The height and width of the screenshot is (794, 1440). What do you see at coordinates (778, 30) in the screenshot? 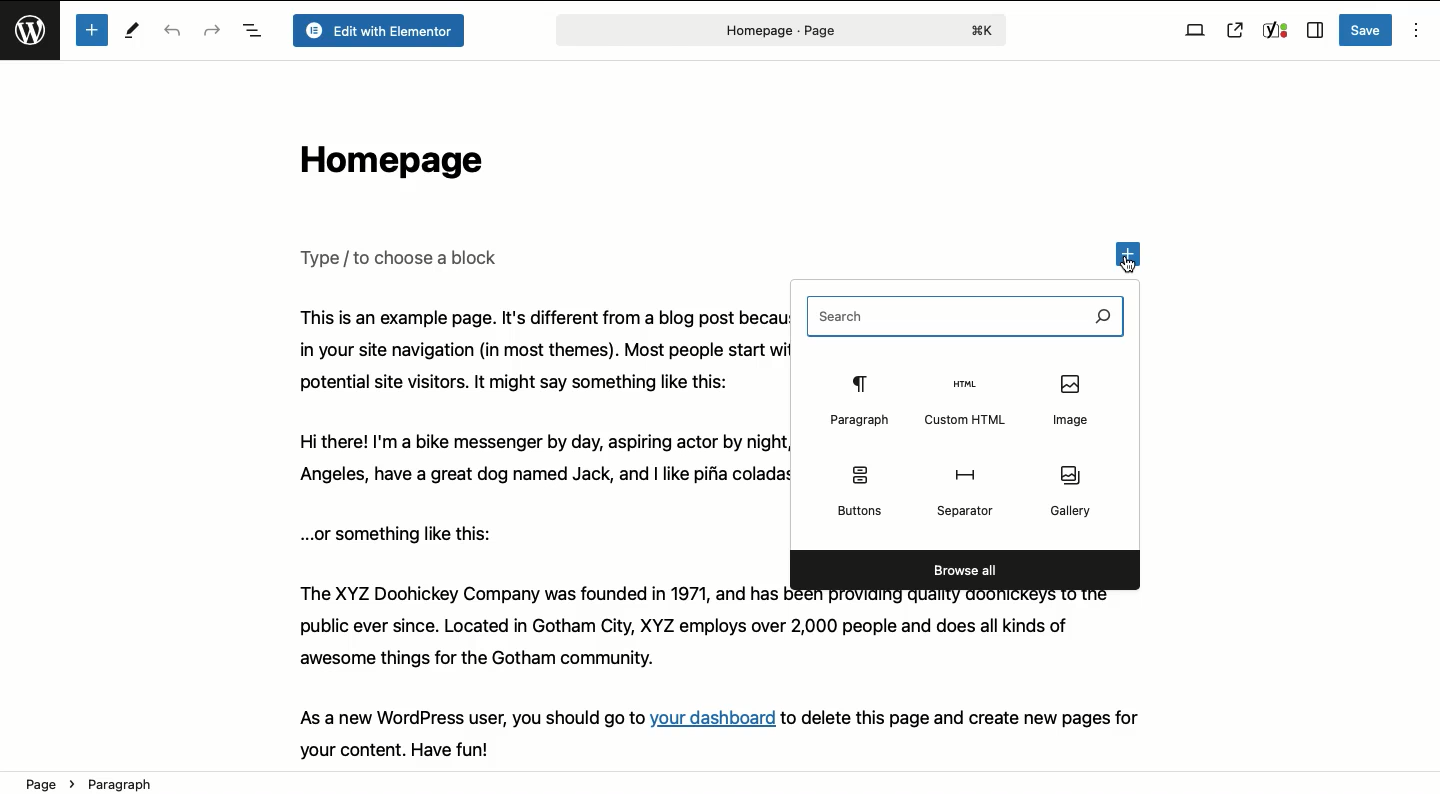
I see `Page` at bounding box center [778, 30].